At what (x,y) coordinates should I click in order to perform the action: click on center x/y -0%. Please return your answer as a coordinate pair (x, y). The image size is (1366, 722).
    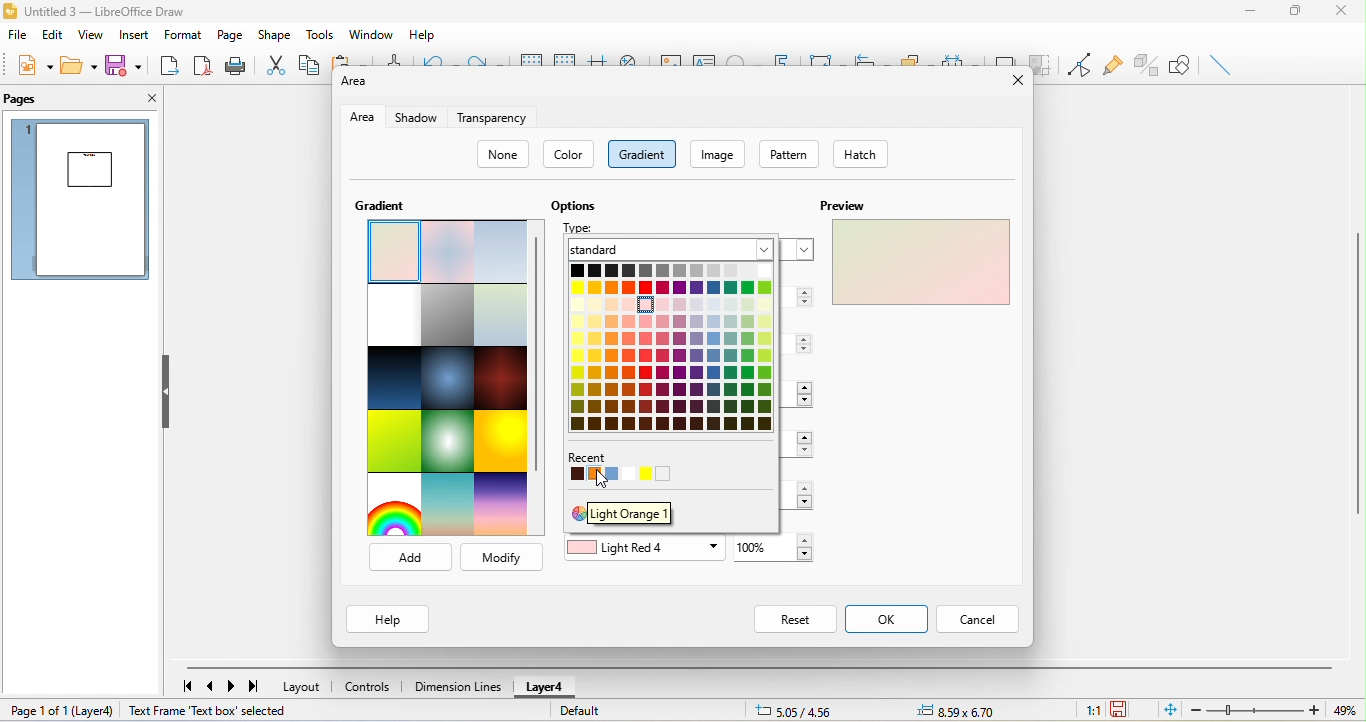
    Looking at the image, I should click on (796, 342).